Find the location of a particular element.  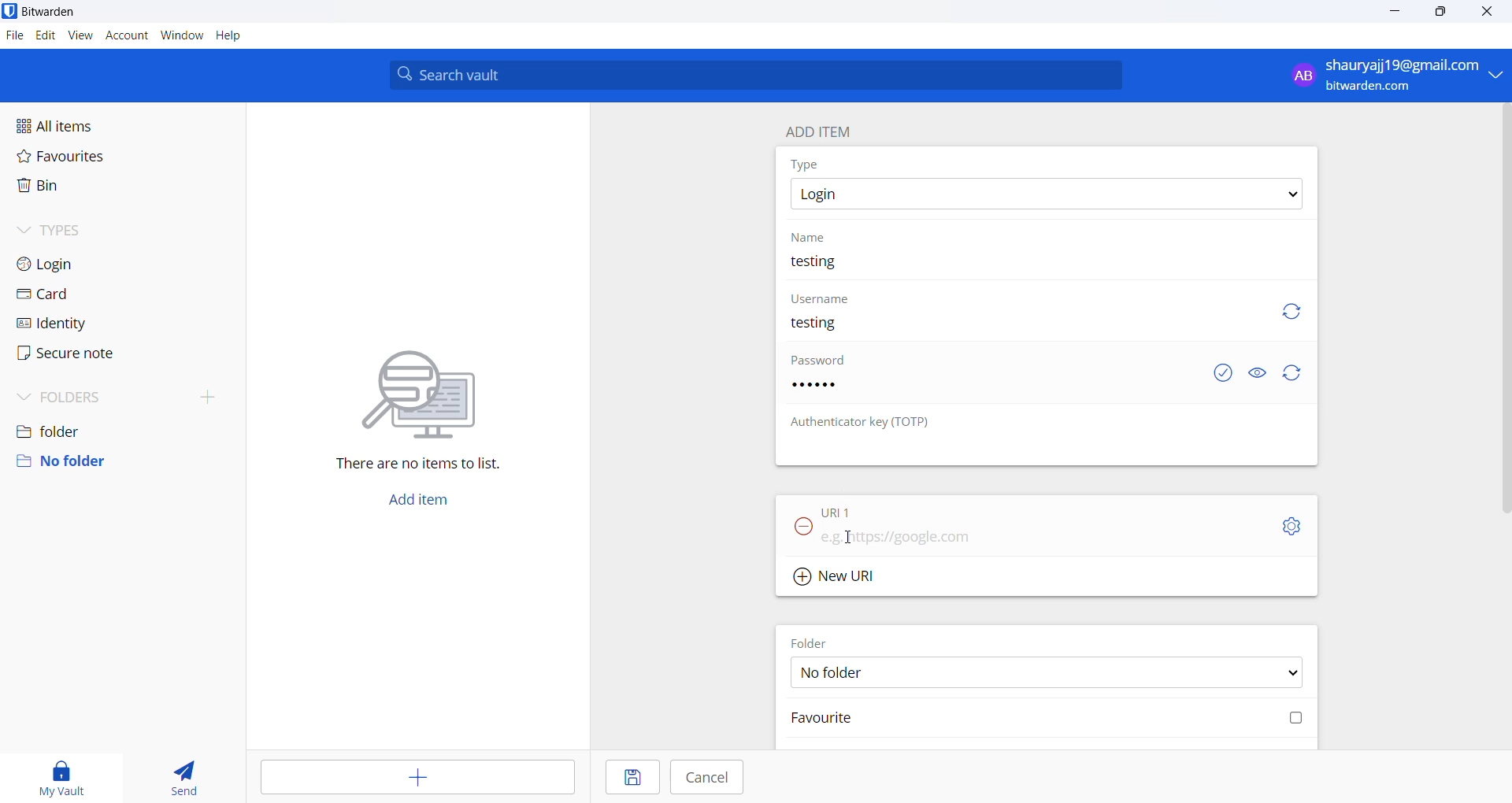

profile: shauryajj19@gmail.com is located at coordinates (1392, 75).